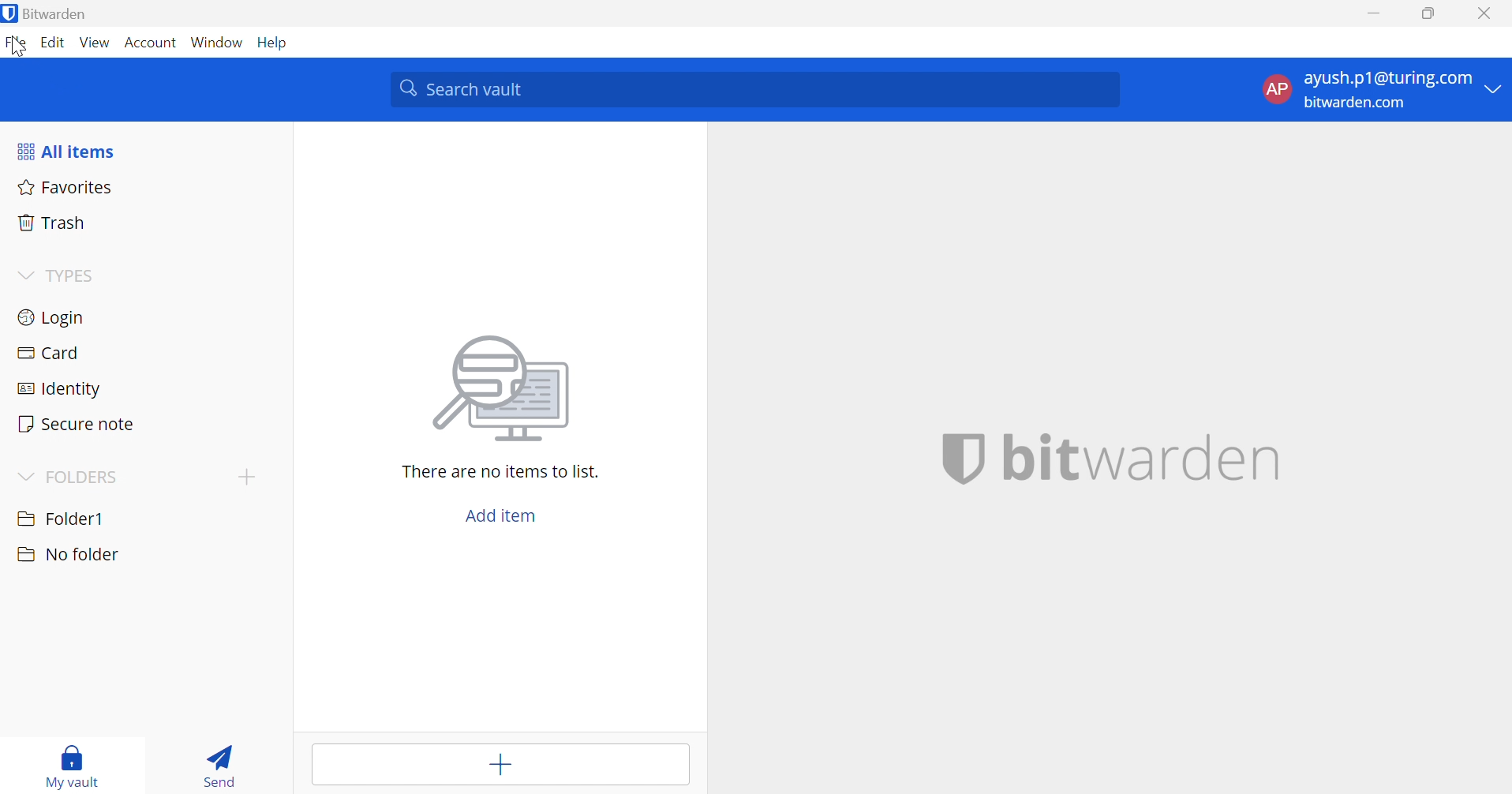 This screenshot has height=794, width=1512. I want to click on searching for file image, so click(505, 392).